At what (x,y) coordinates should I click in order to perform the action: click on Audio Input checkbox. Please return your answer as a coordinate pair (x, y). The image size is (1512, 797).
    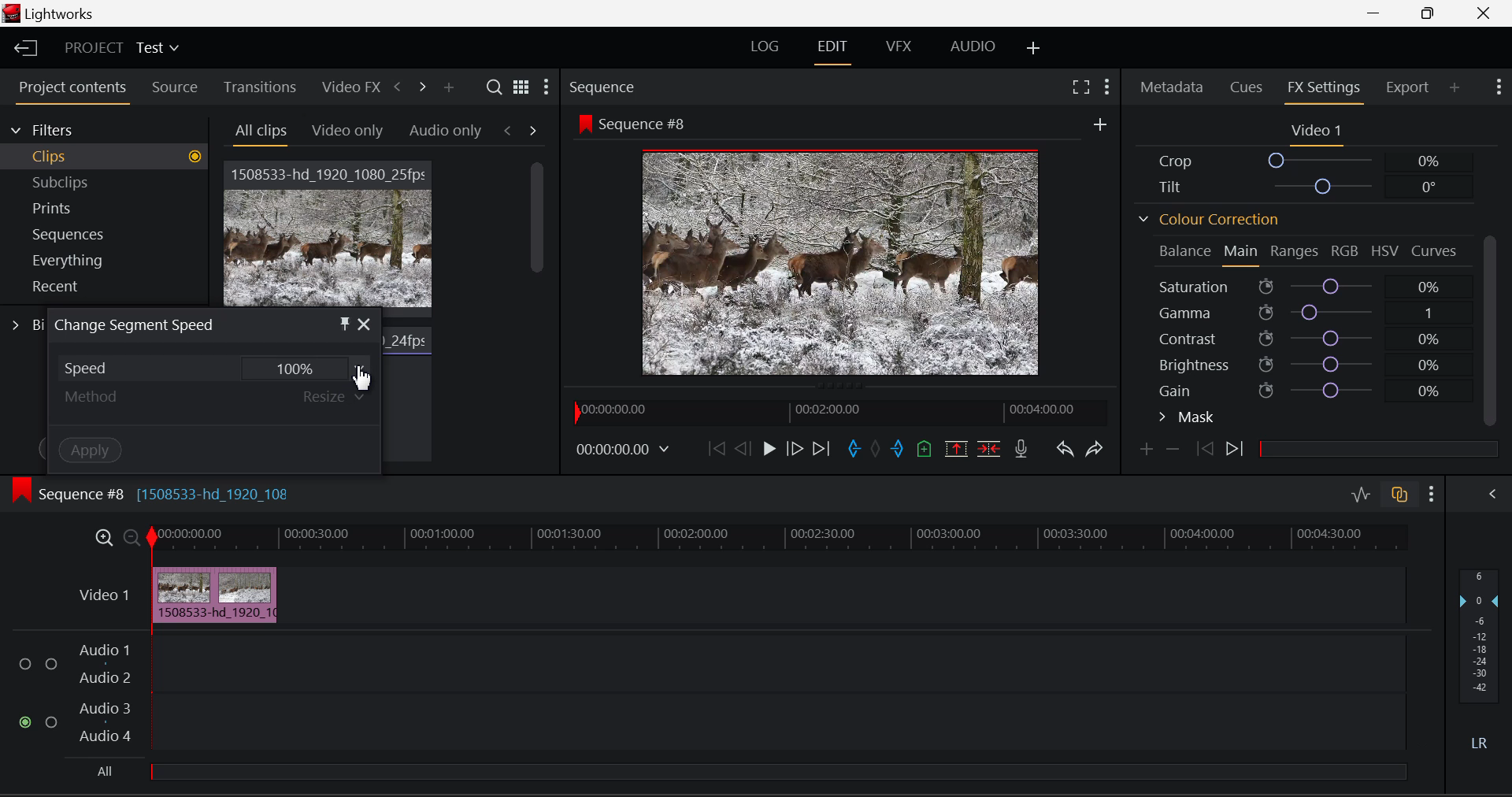
    Looking at the image, I should click on (24, 722).